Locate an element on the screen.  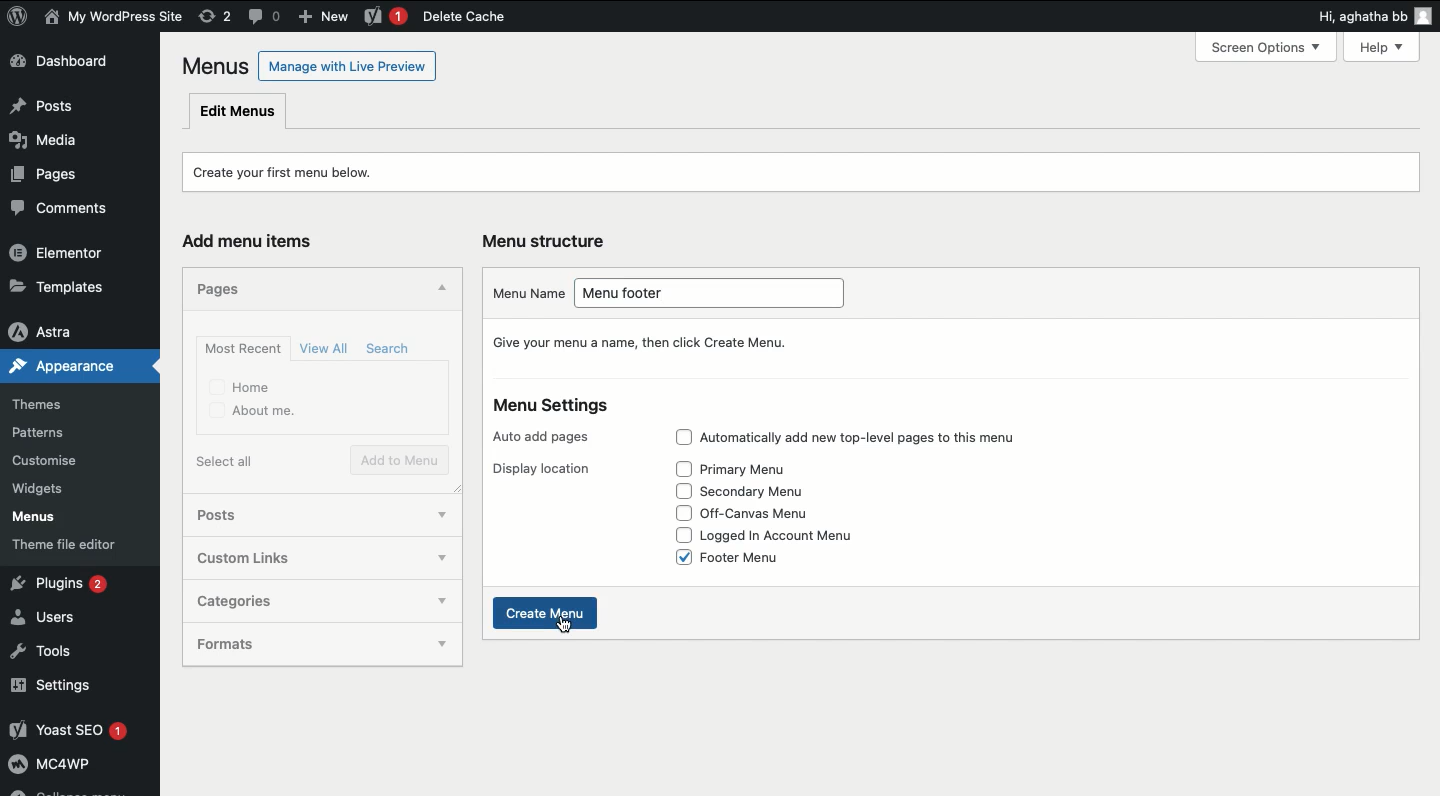
Delete cache is located at coordinates (463, 17).